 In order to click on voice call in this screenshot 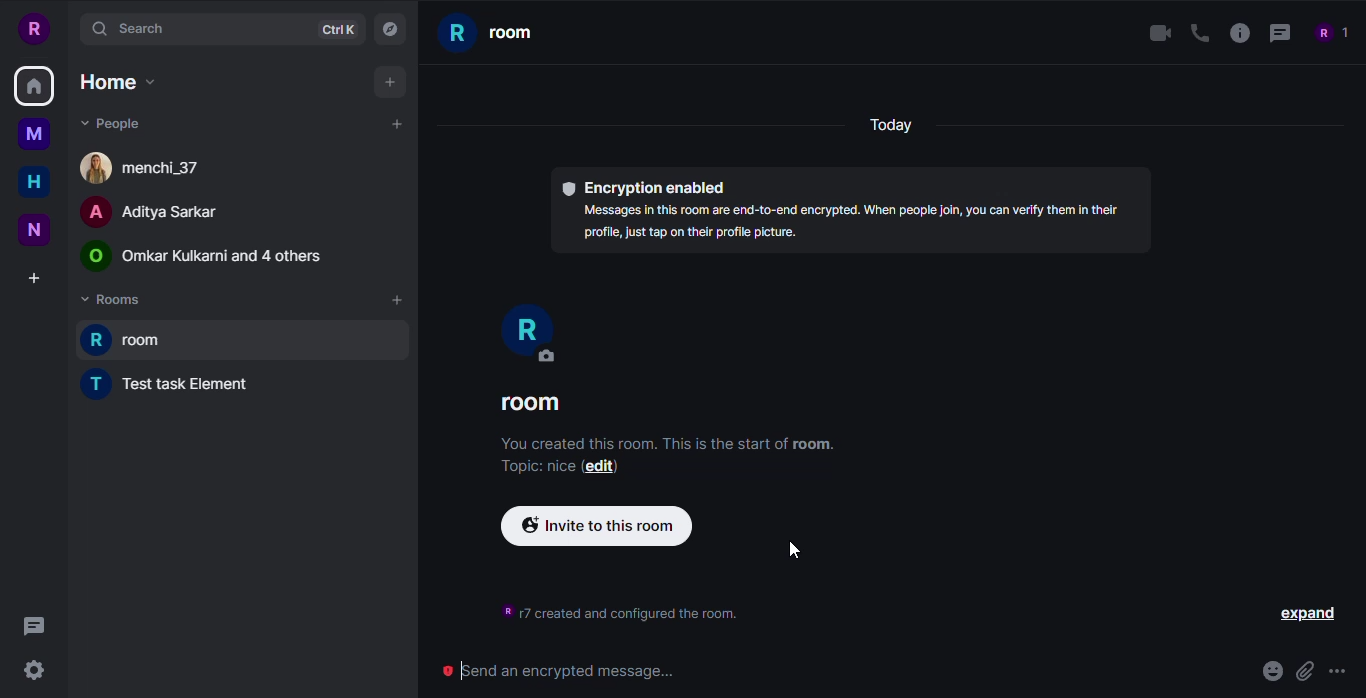, I will do `click(1200, 32)`.